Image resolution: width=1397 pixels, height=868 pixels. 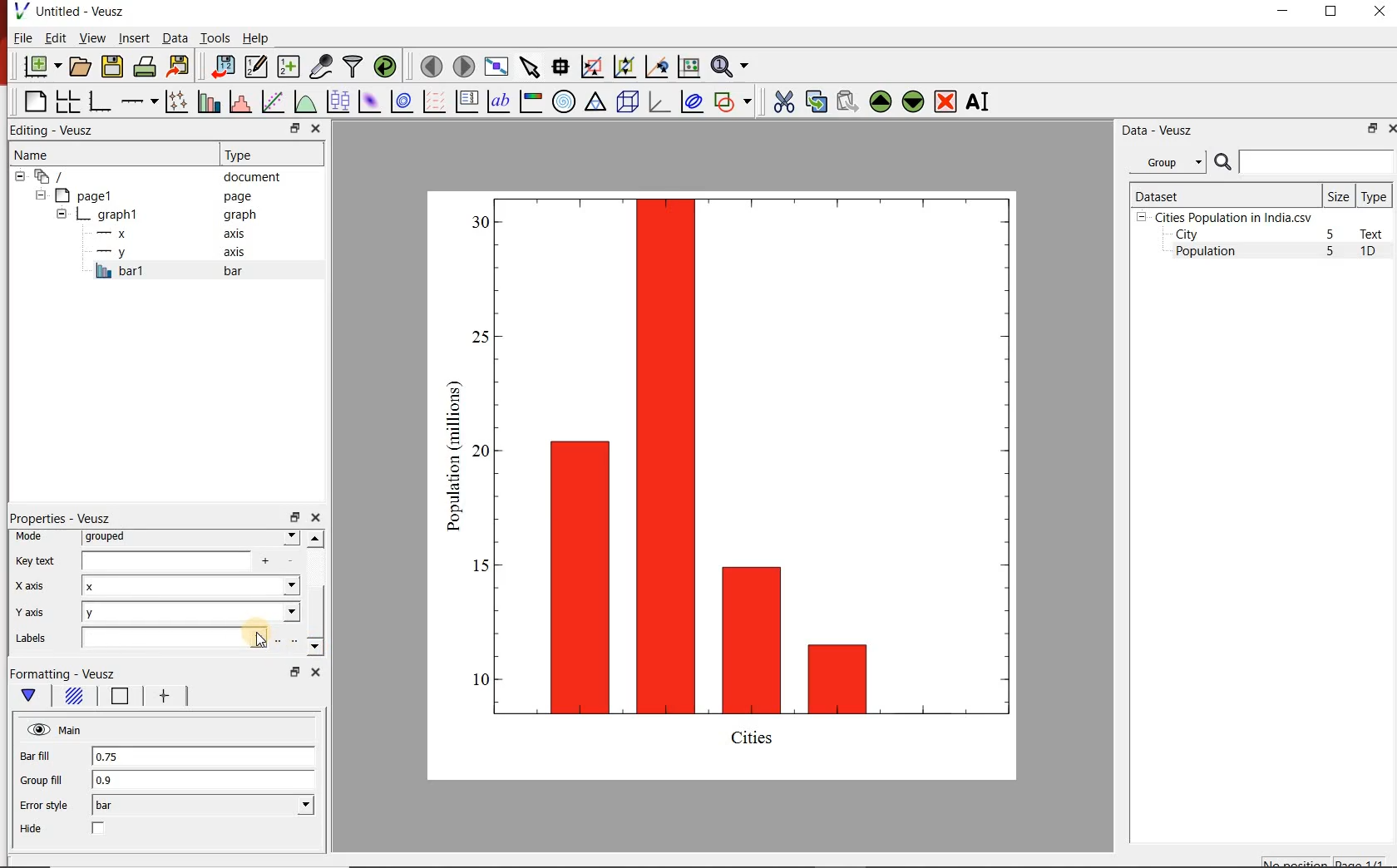 I want to click on Help, so click(x=257, y=37).